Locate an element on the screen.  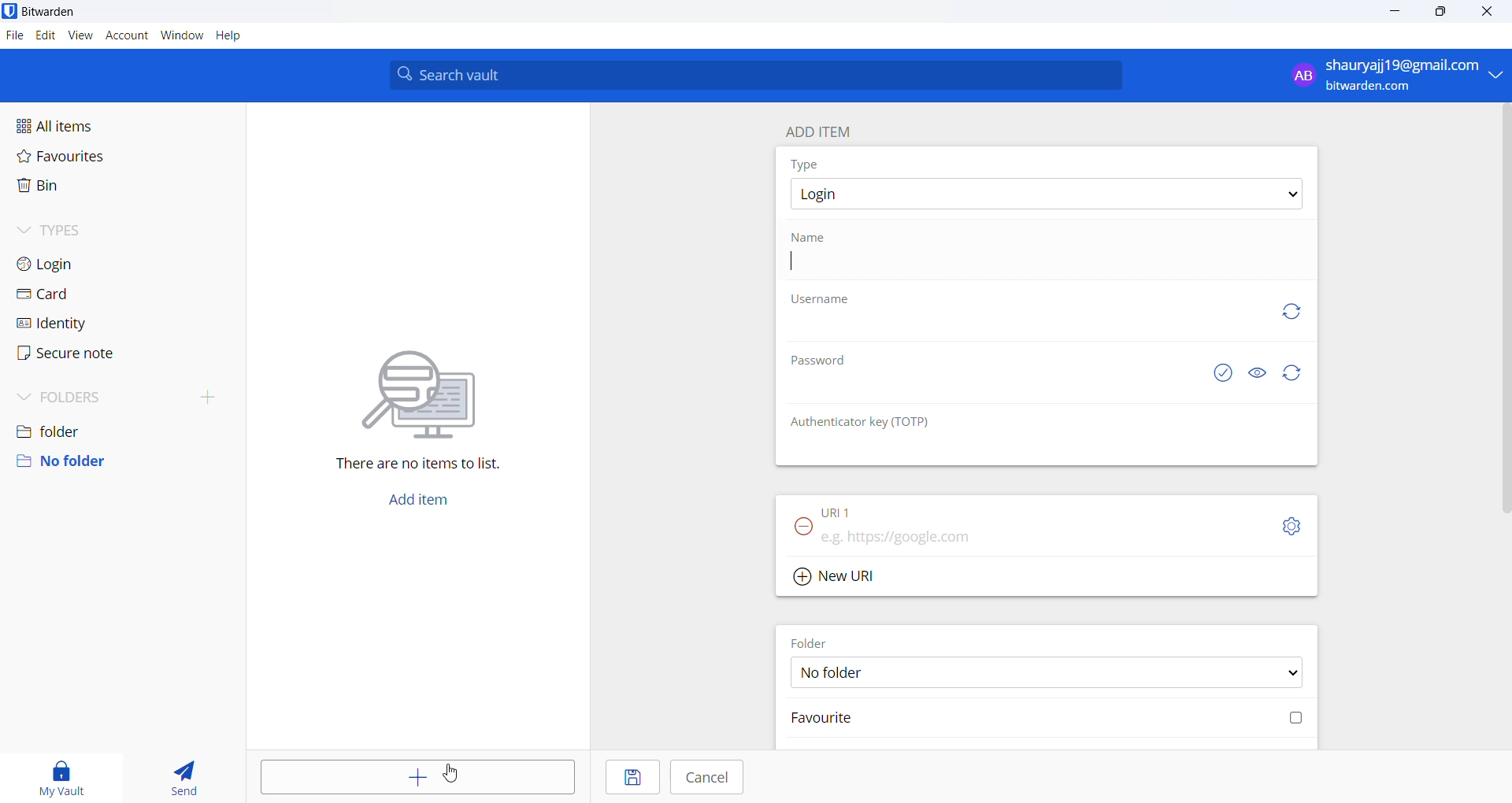
password input is located at coordinates (991, 391).